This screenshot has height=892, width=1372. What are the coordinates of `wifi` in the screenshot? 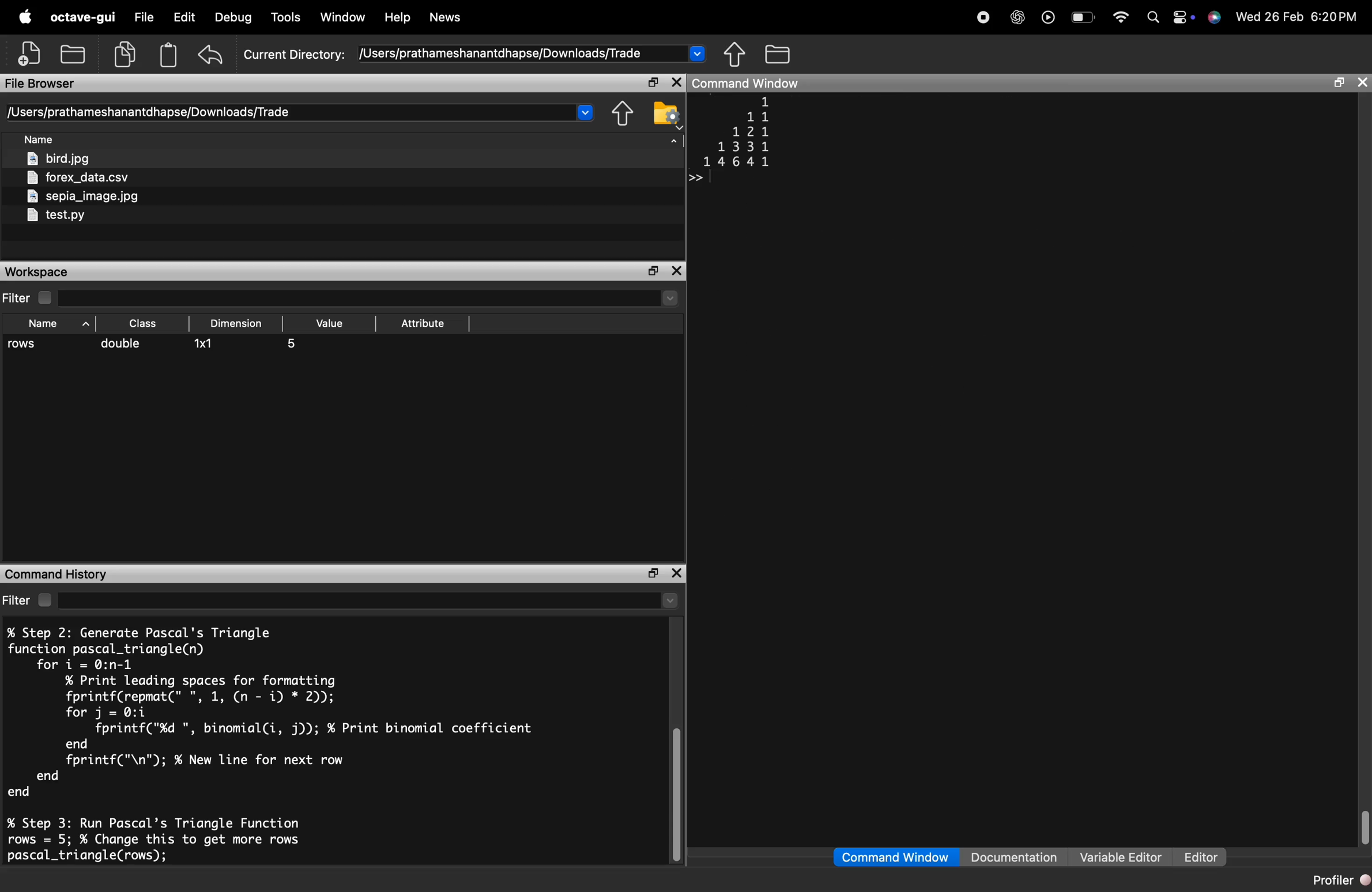 It's located at (1121, 17).